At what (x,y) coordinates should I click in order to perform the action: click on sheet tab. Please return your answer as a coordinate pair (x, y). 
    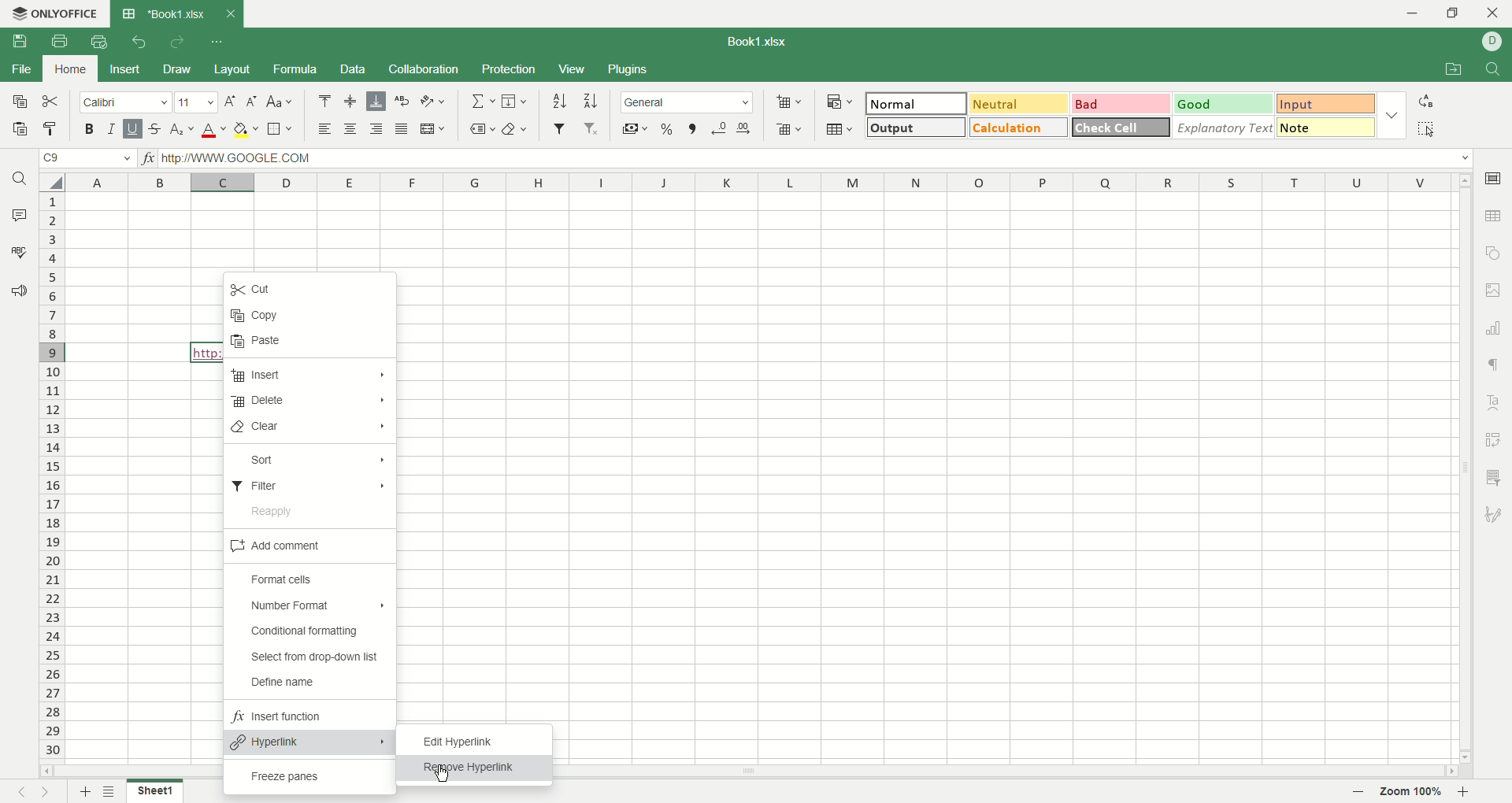
    Looking at the image, I should click on (161, 13).